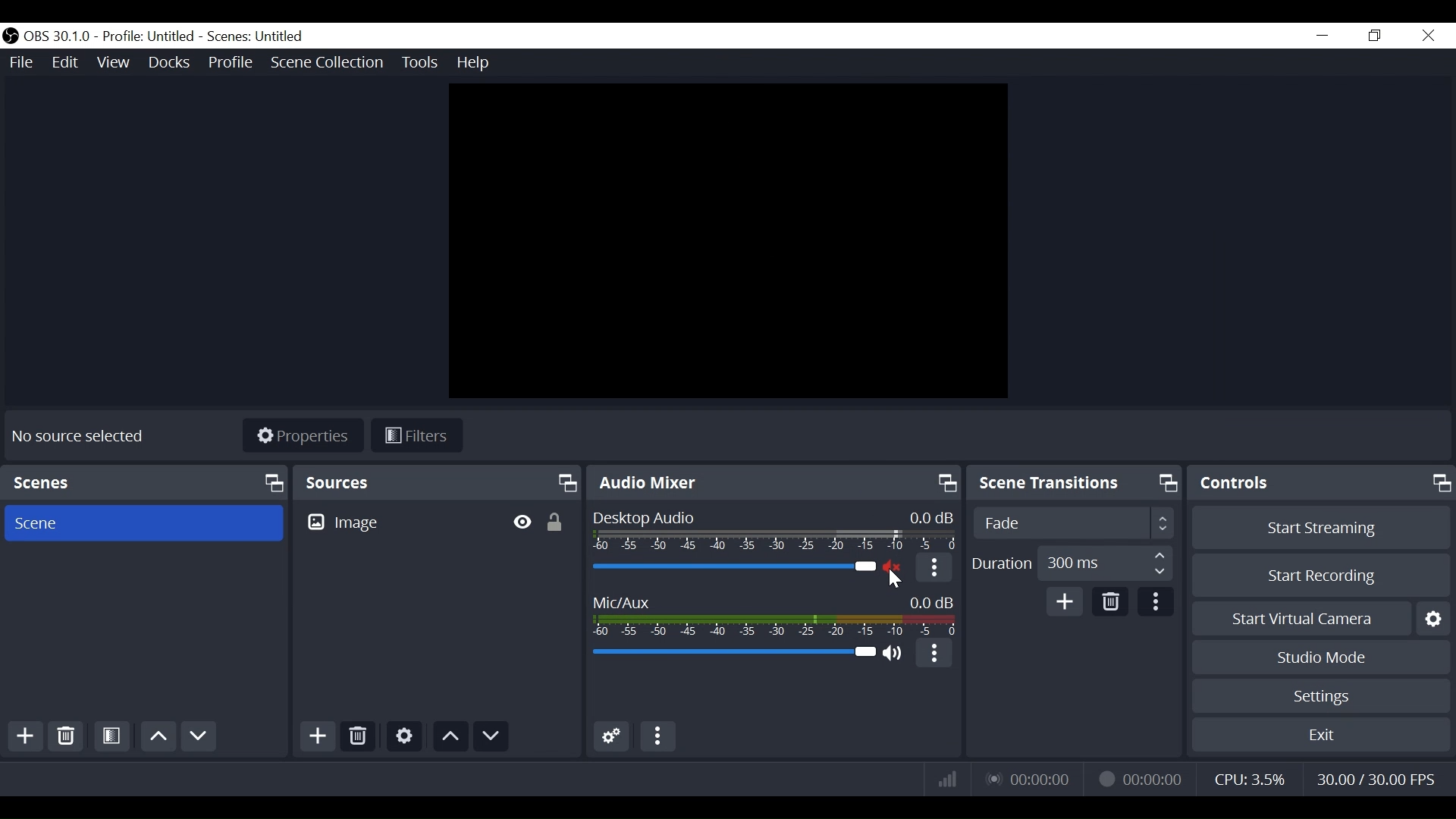  Describe the element at coordinates (158, 738) in the screenshot. I see `Move Up` at that location.